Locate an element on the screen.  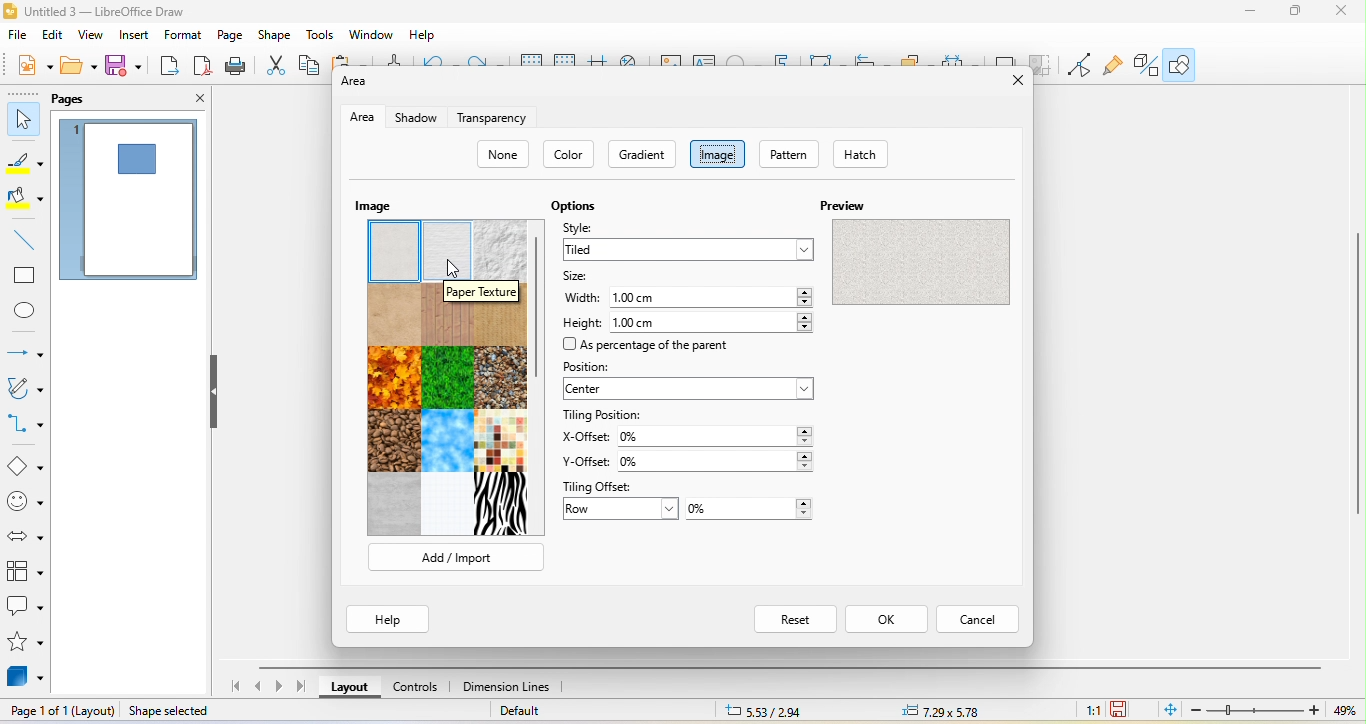
open is located at coordinates (80, 69).